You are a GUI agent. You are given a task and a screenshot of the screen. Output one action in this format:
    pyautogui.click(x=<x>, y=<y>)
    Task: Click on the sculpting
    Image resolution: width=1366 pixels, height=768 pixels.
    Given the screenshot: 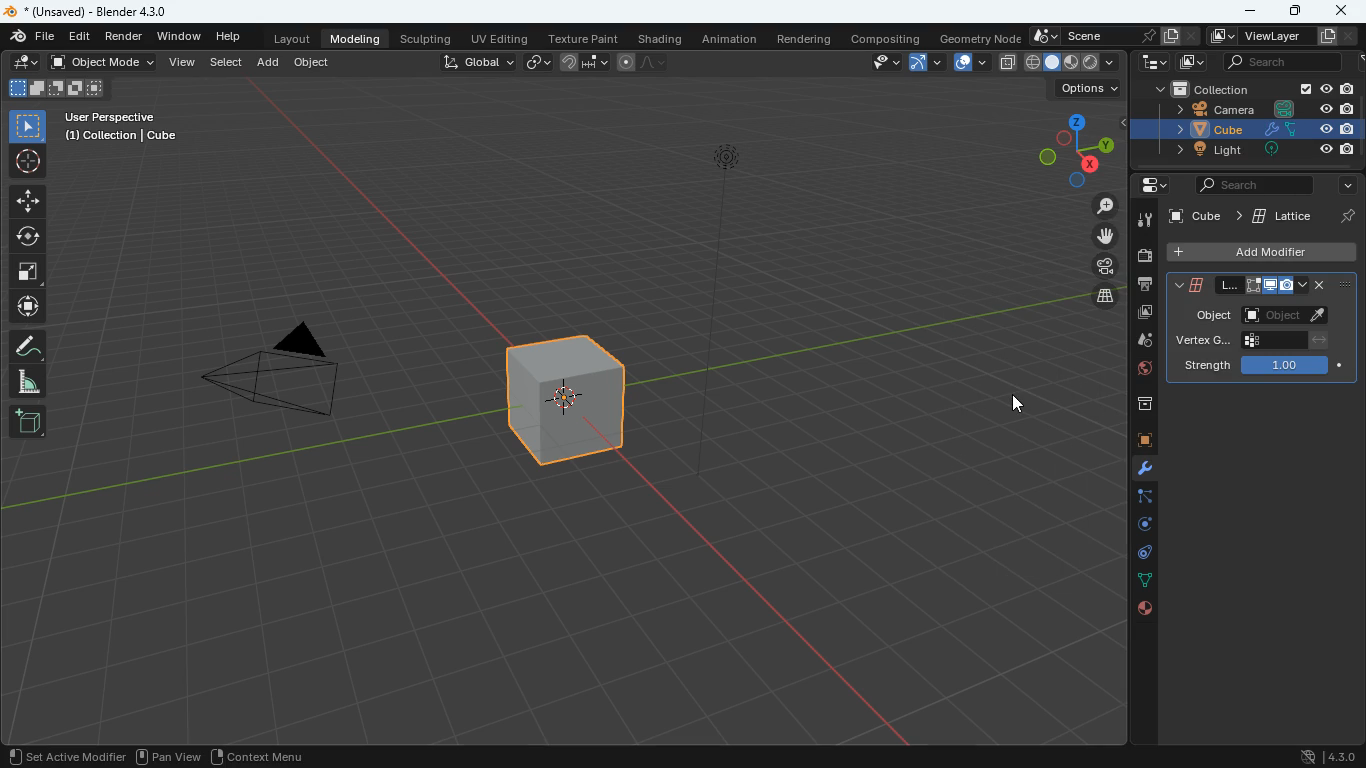 What is the action you would take?
    pyautogui.click(x=425, y=37)
    